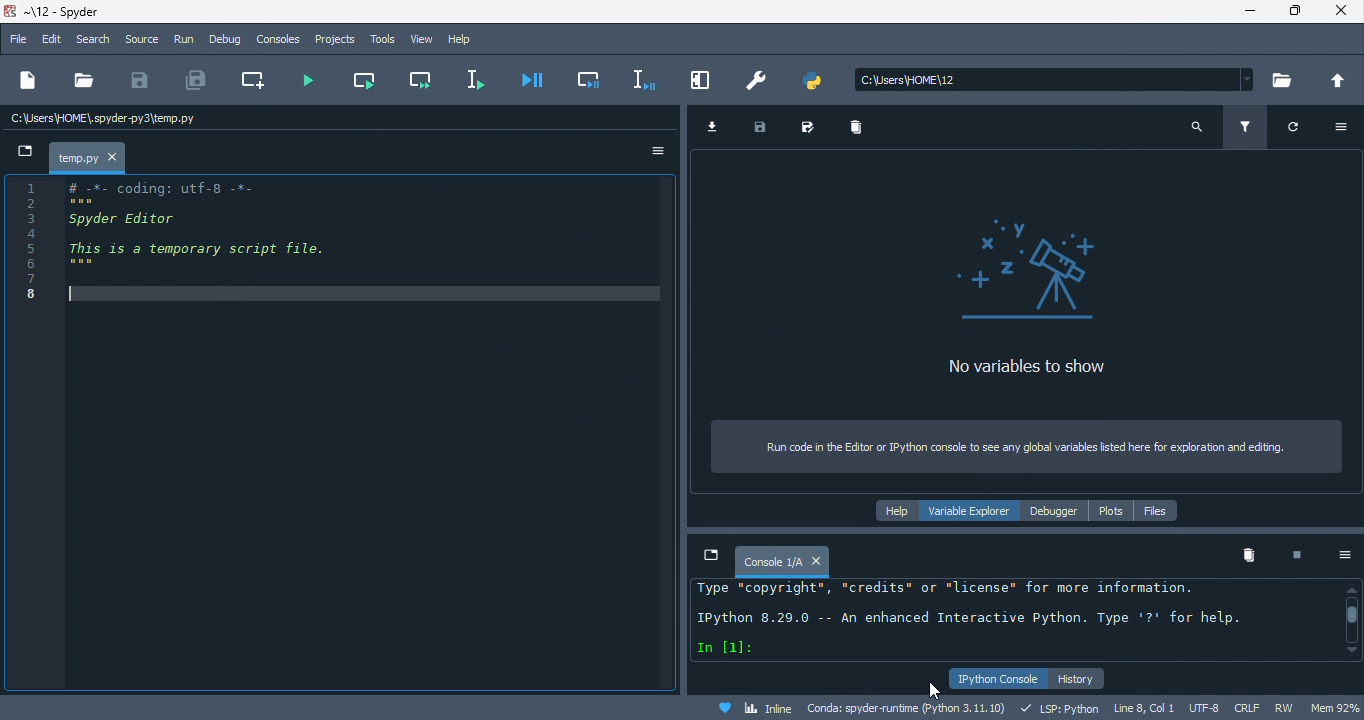 This screenshot has height=720, width=1364. Describe the element at coordinates (930, 688) in the screenshot. I see `cursor` at that location.